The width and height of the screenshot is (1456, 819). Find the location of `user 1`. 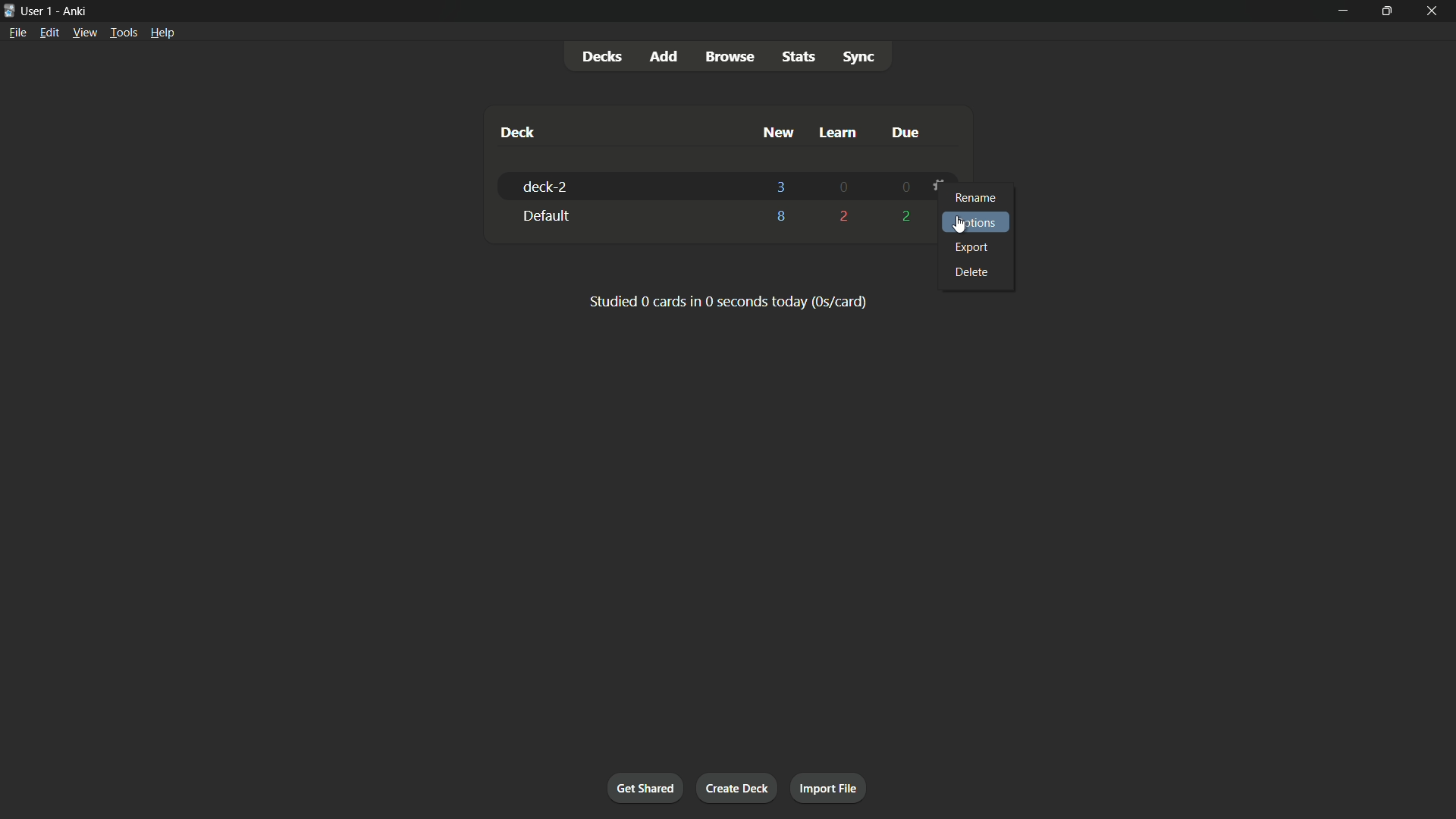

user 1 is located at coordinates (38, 11).